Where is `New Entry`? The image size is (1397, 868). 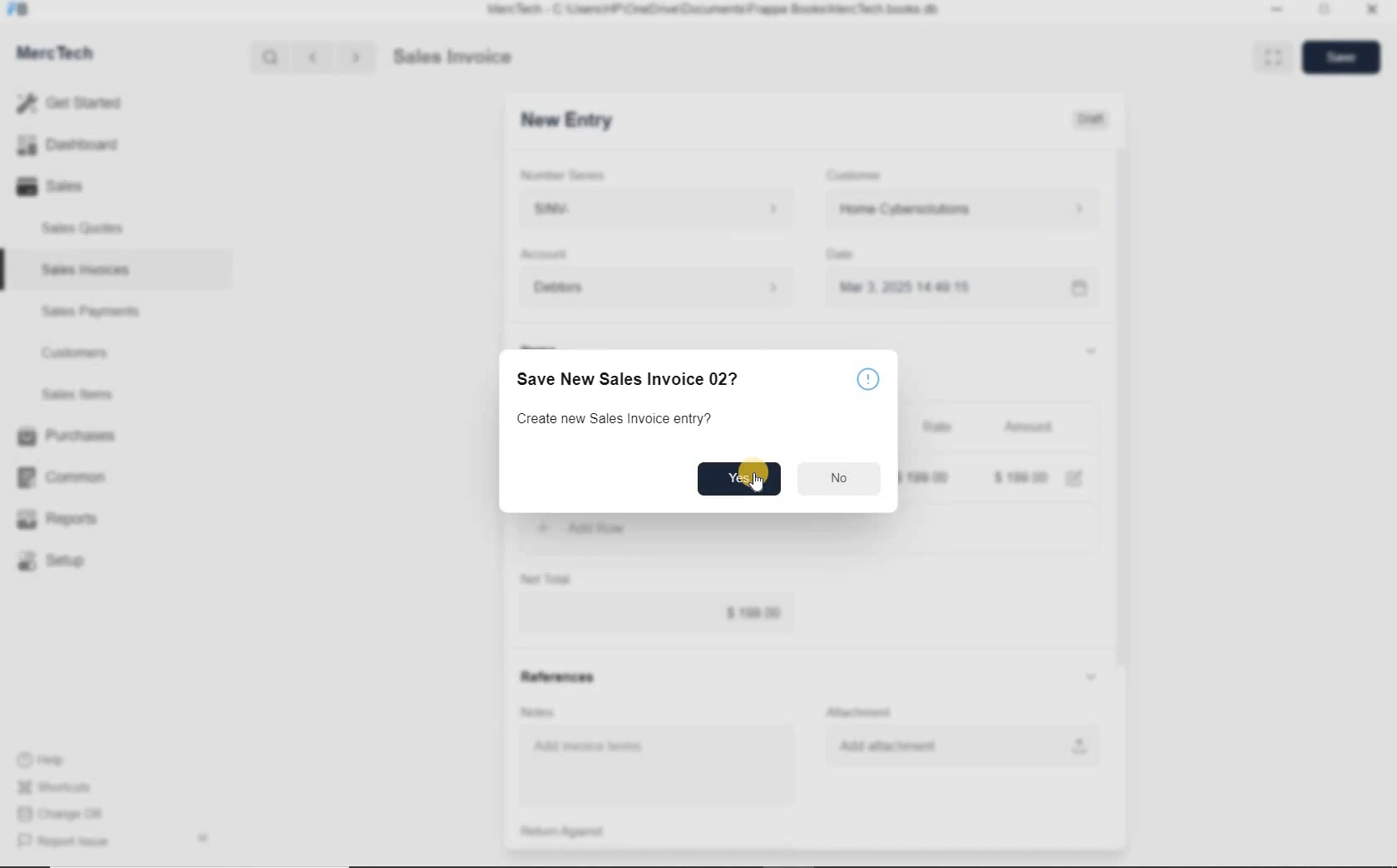
New Entry is located at coordinates (565, 121).